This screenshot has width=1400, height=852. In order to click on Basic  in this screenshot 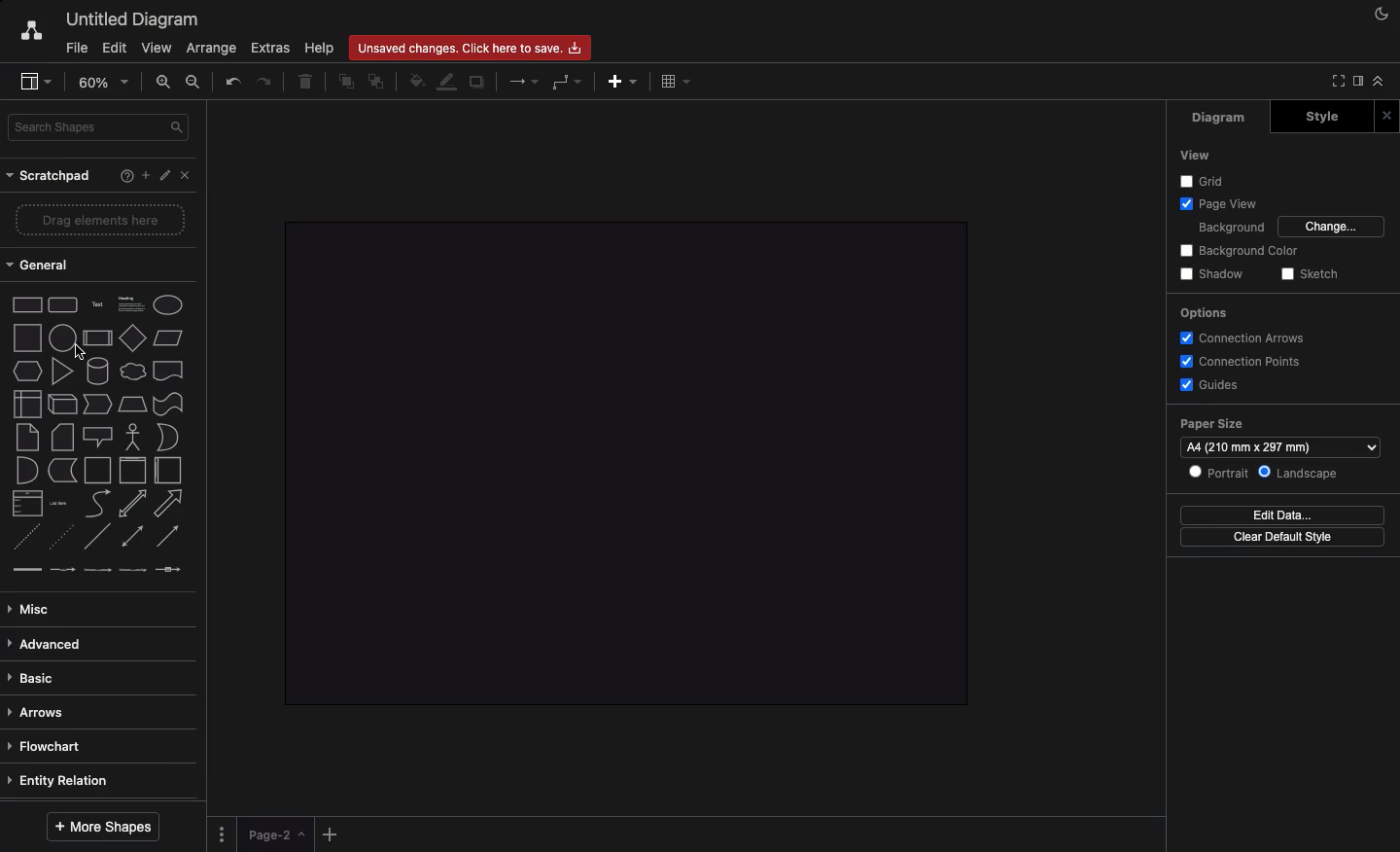, I will do `click(36, 678)`.